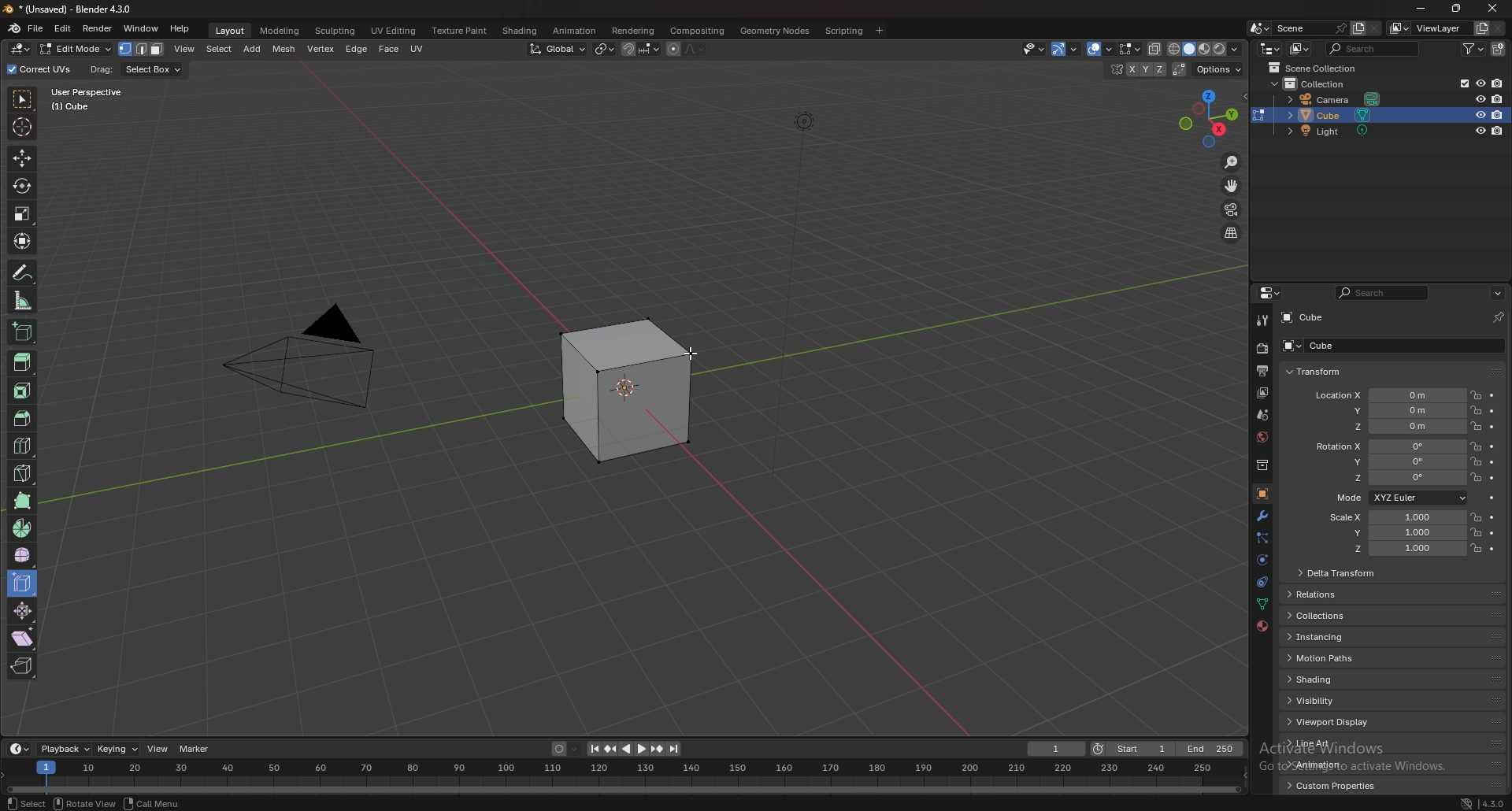  I want to click on pin, so click(1496, 317).